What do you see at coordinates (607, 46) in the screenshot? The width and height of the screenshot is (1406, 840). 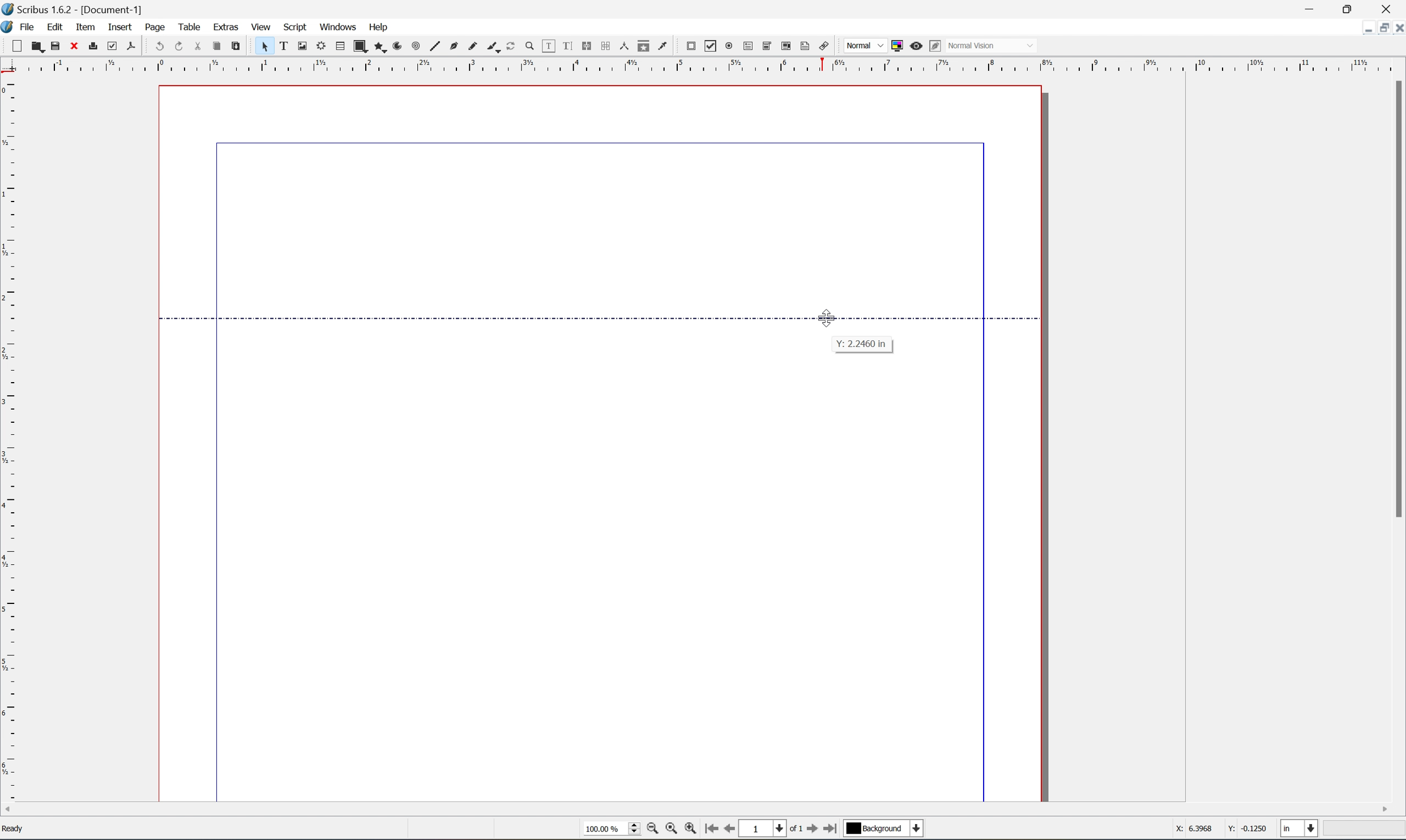 I see `unlink text frames` at bounding box center [607, 46].